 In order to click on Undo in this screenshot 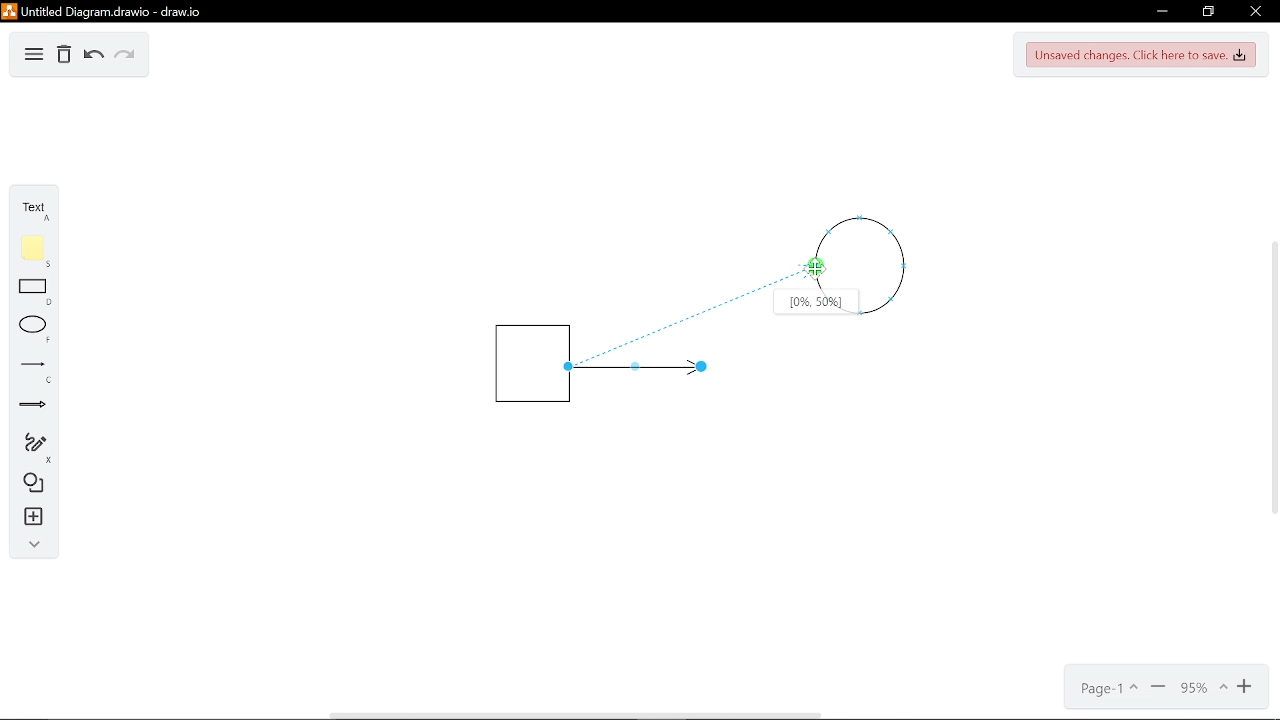, I will do `click(93, 55)`.